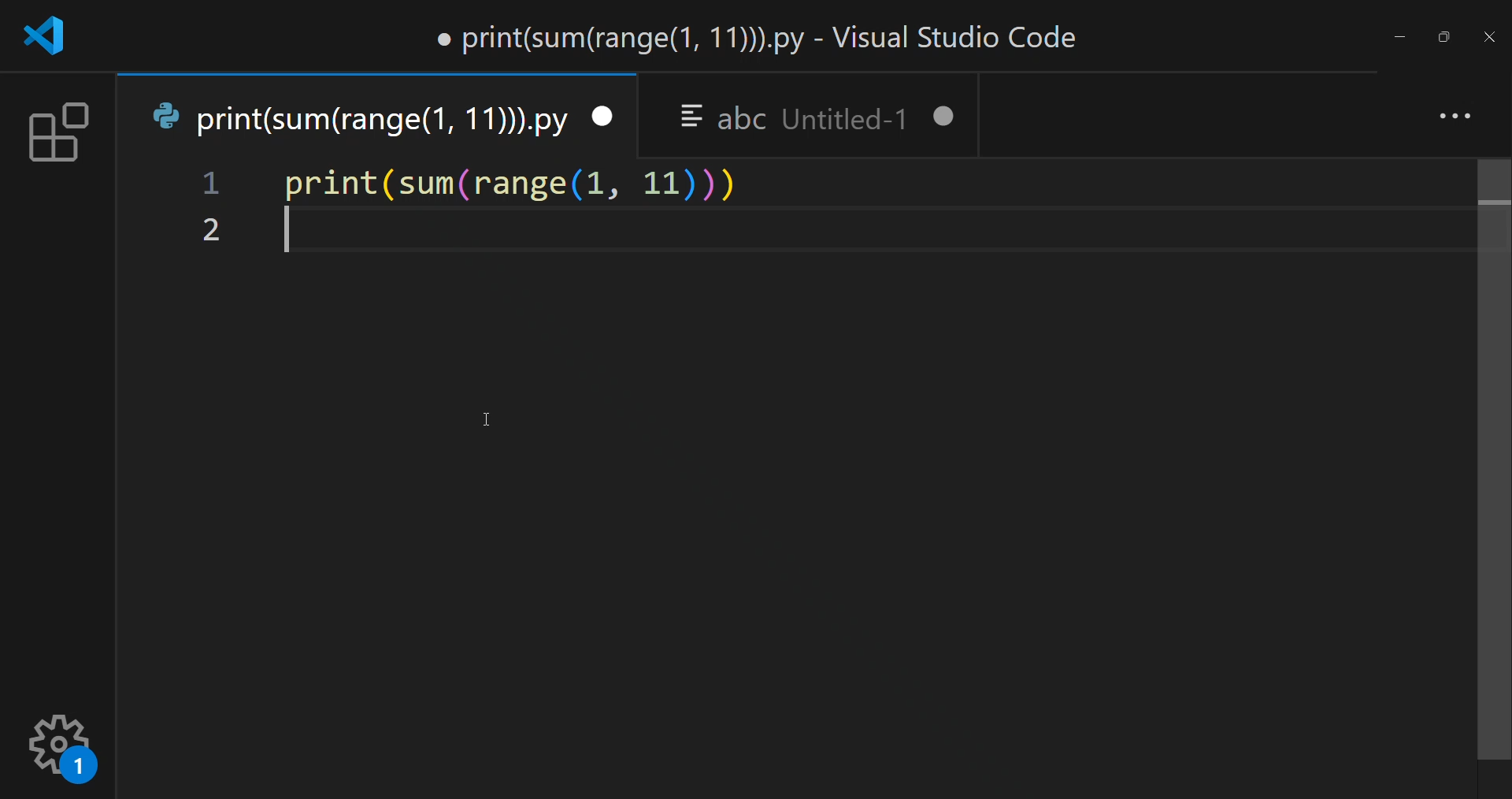 The image size is (1512, 799). I want to click on setting , so click(61, 743).